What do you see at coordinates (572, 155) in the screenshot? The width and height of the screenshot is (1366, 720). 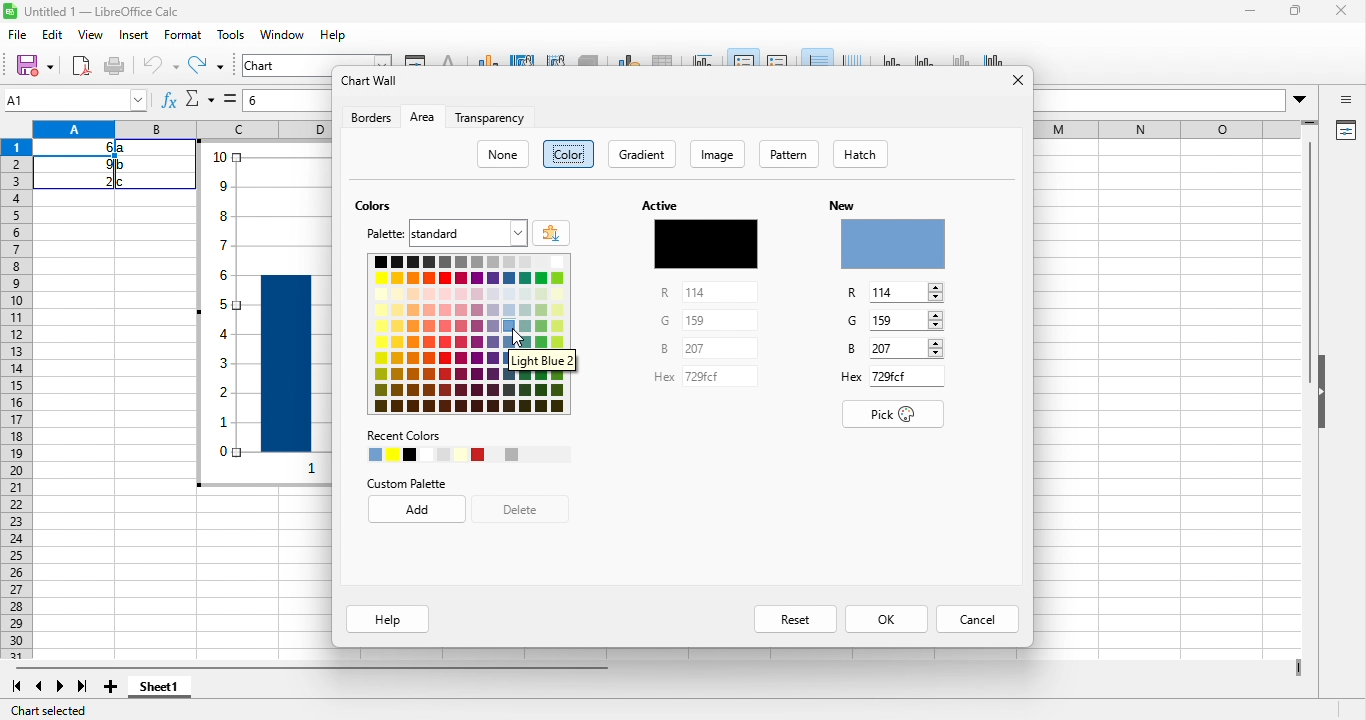 I see `color` at bounding box center [572, 155].